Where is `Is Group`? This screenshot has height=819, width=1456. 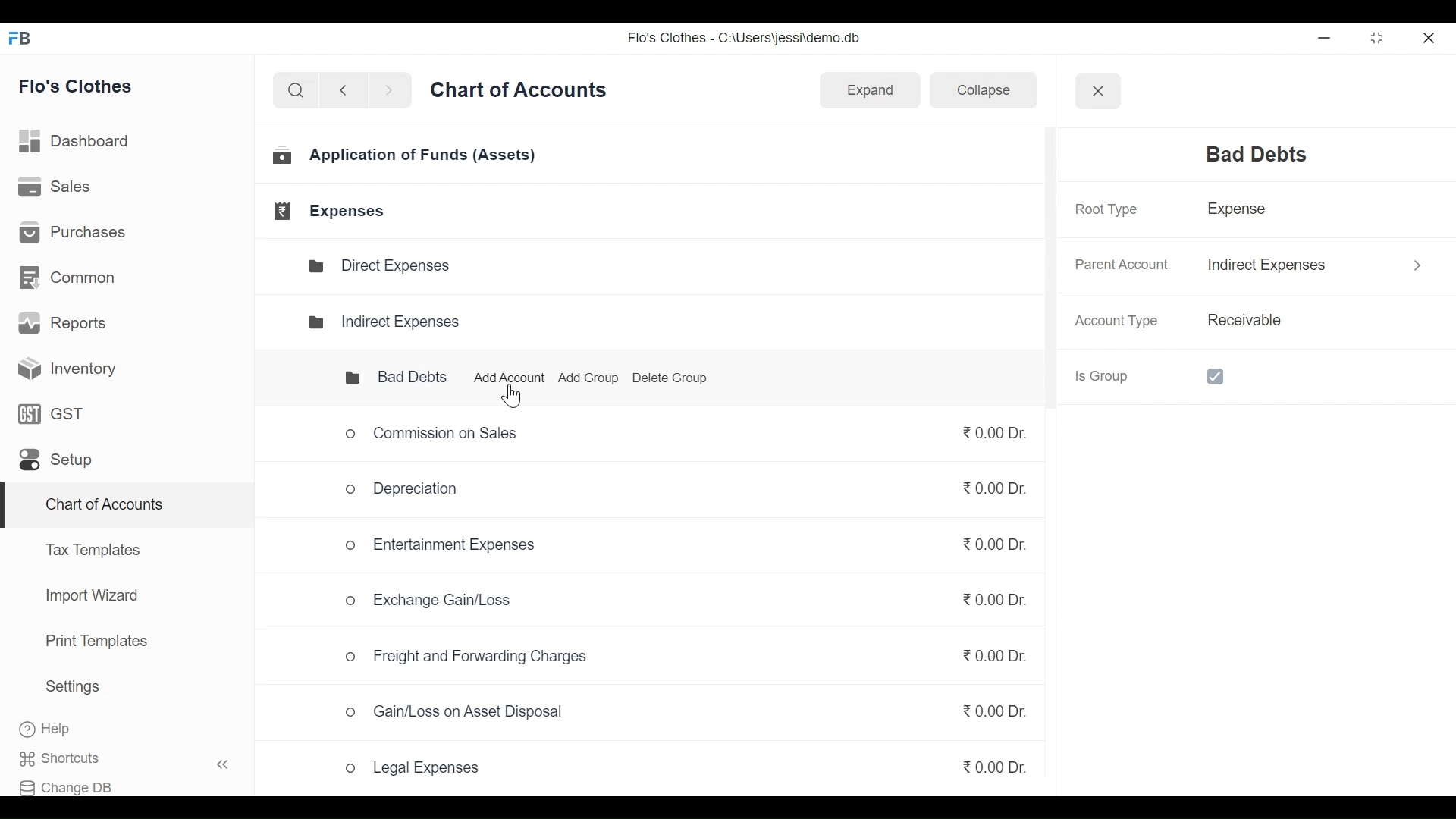
Is Group is located at coordinates (1163, 375).